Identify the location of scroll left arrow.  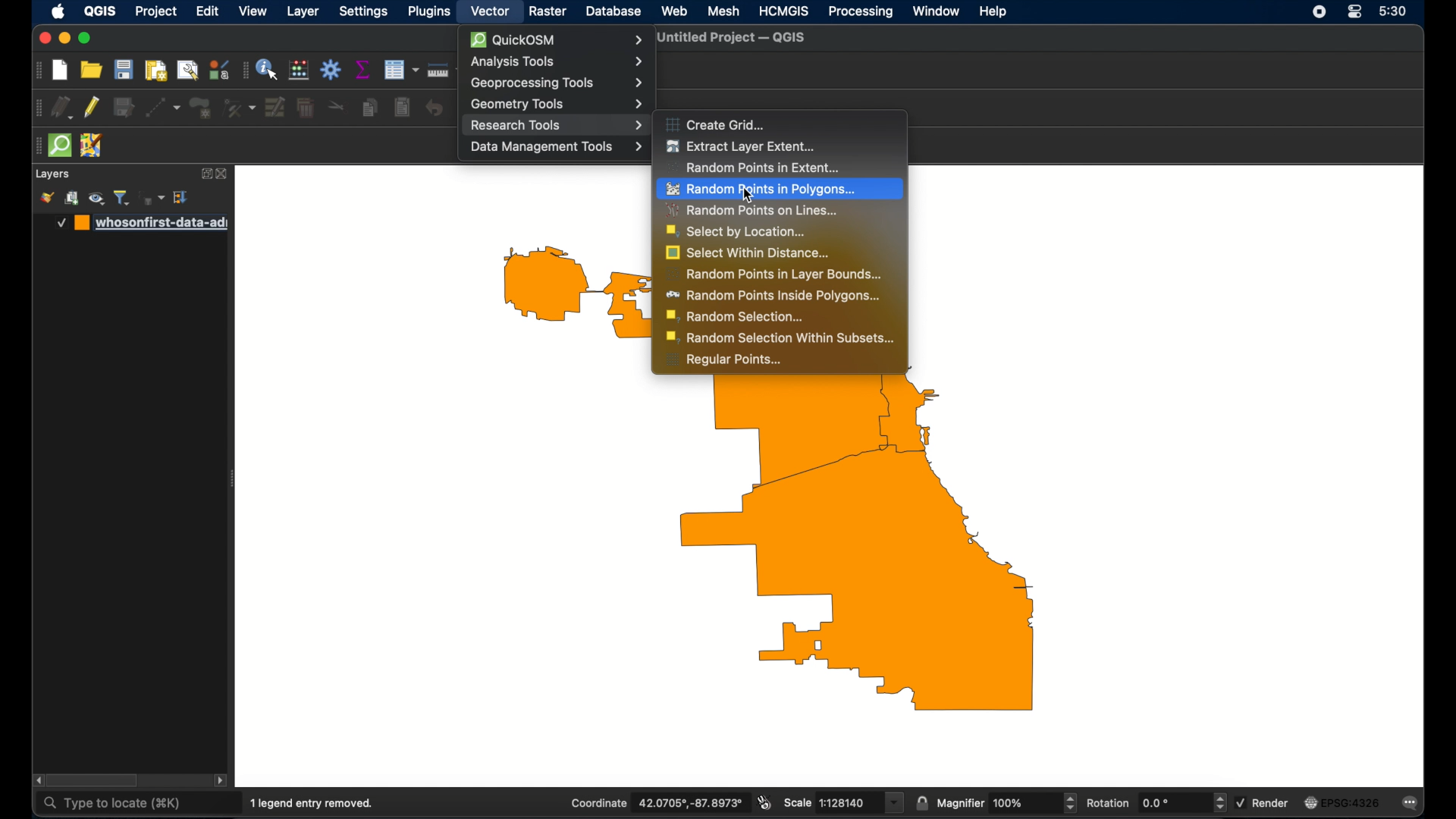
(37, 780).